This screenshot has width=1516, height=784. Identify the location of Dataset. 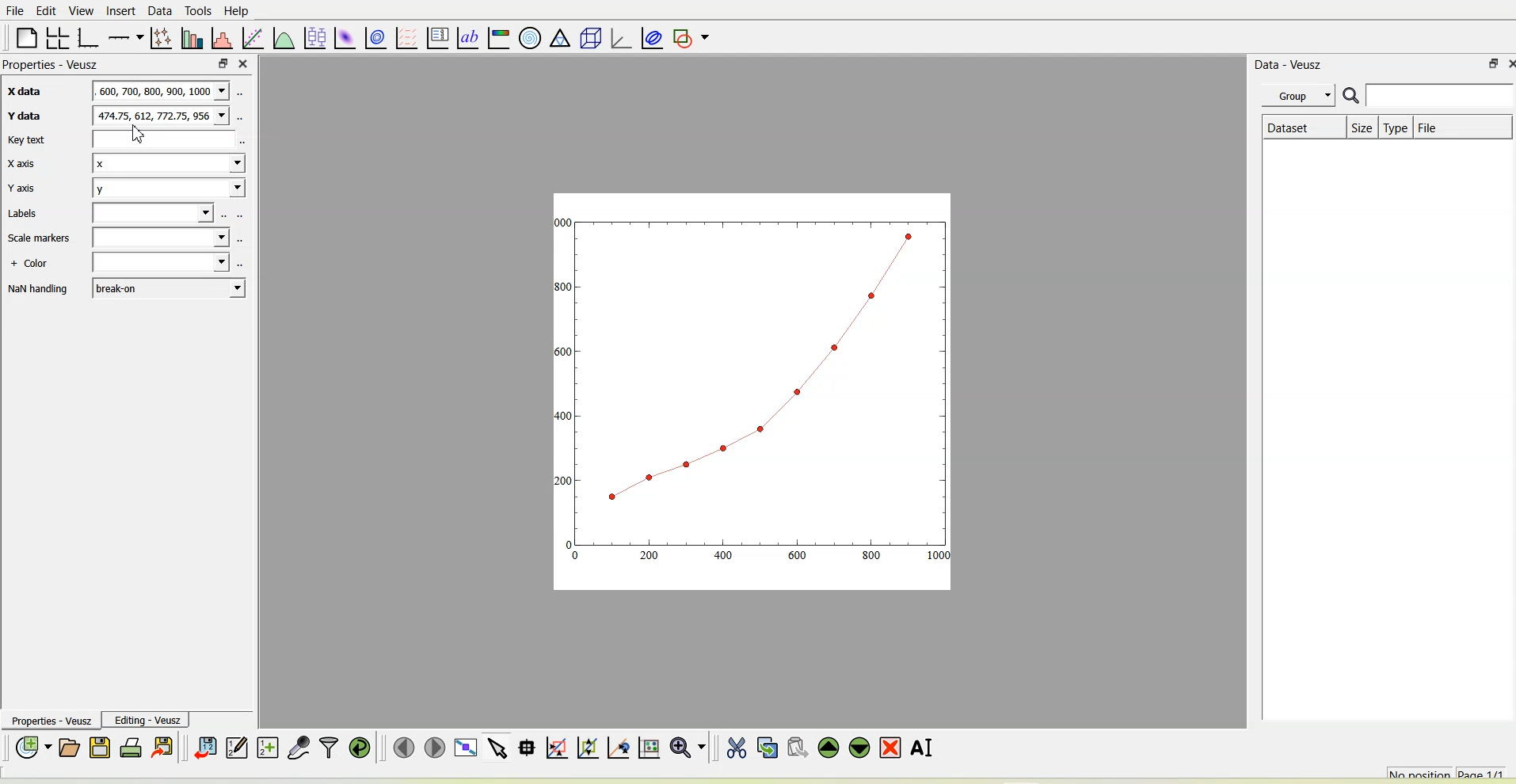
(1304, 126).